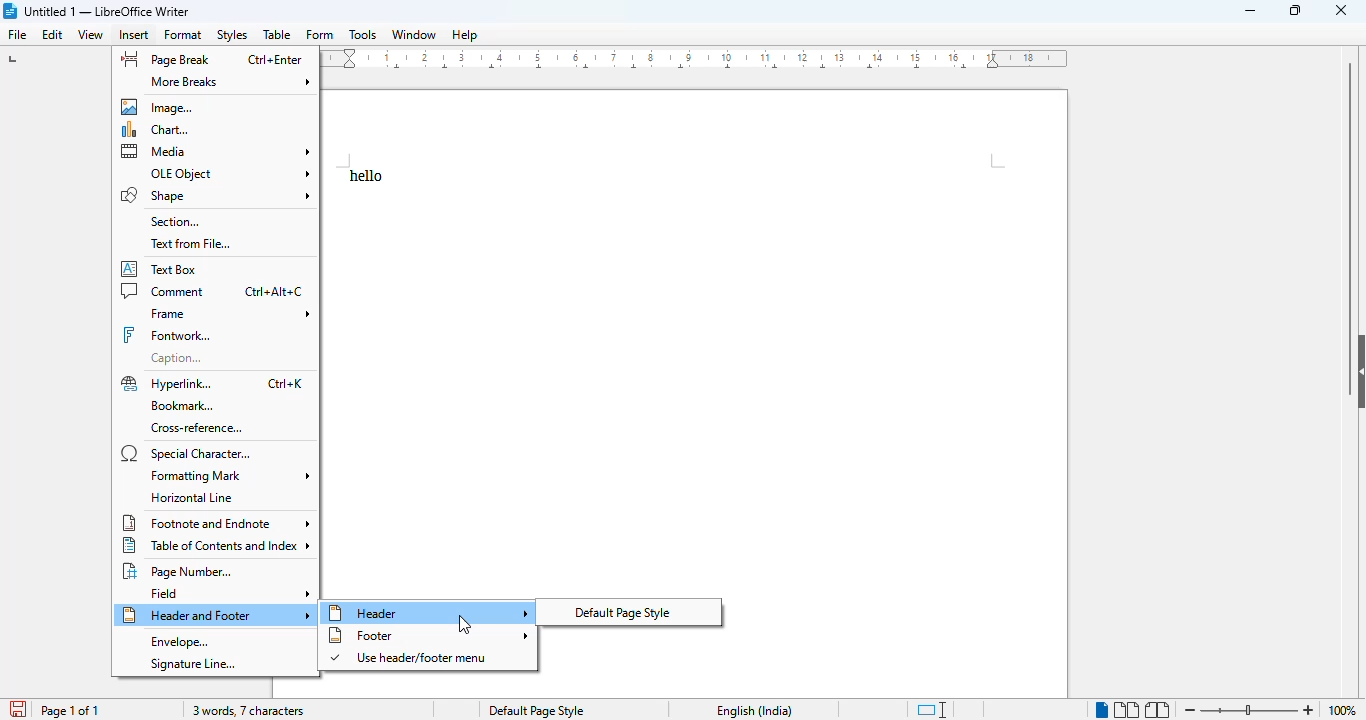  I want to click on shortcut for hyperlink, so click(283, 383).